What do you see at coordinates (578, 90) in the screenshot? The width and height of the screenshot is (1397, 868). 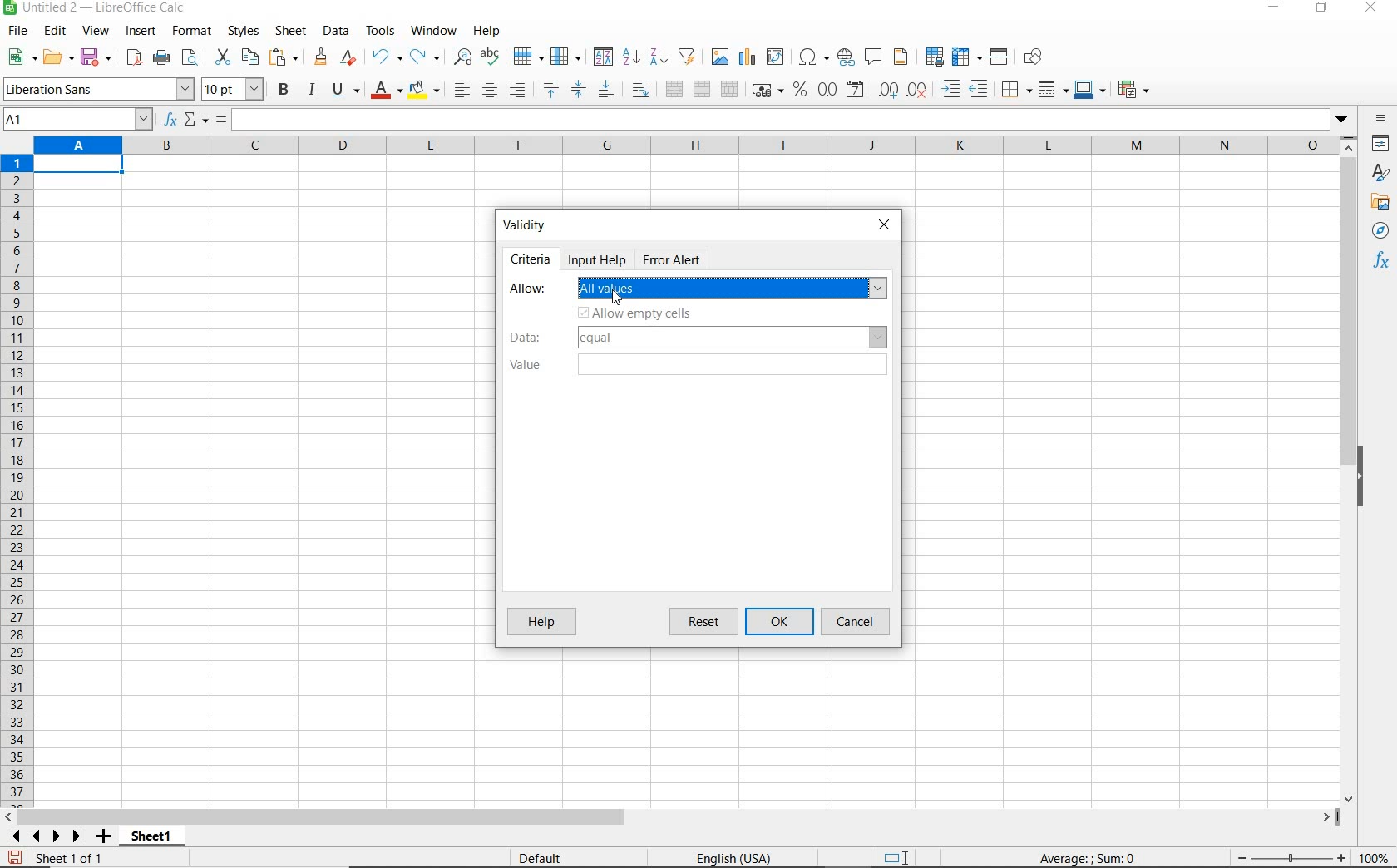 I see `center vertically` at bounding box center [578, 90].